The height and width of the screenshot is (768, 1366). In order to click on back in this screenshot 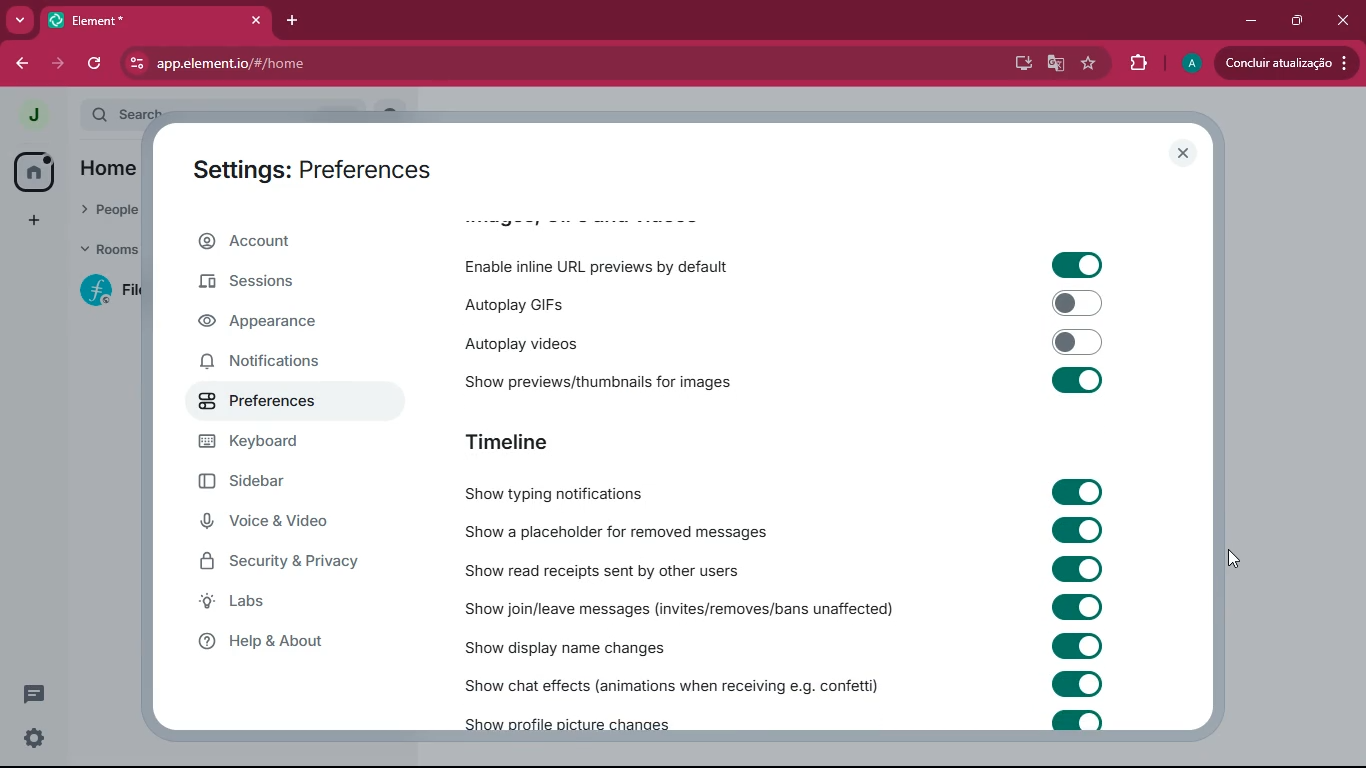, I will do `click(16, 65)`.